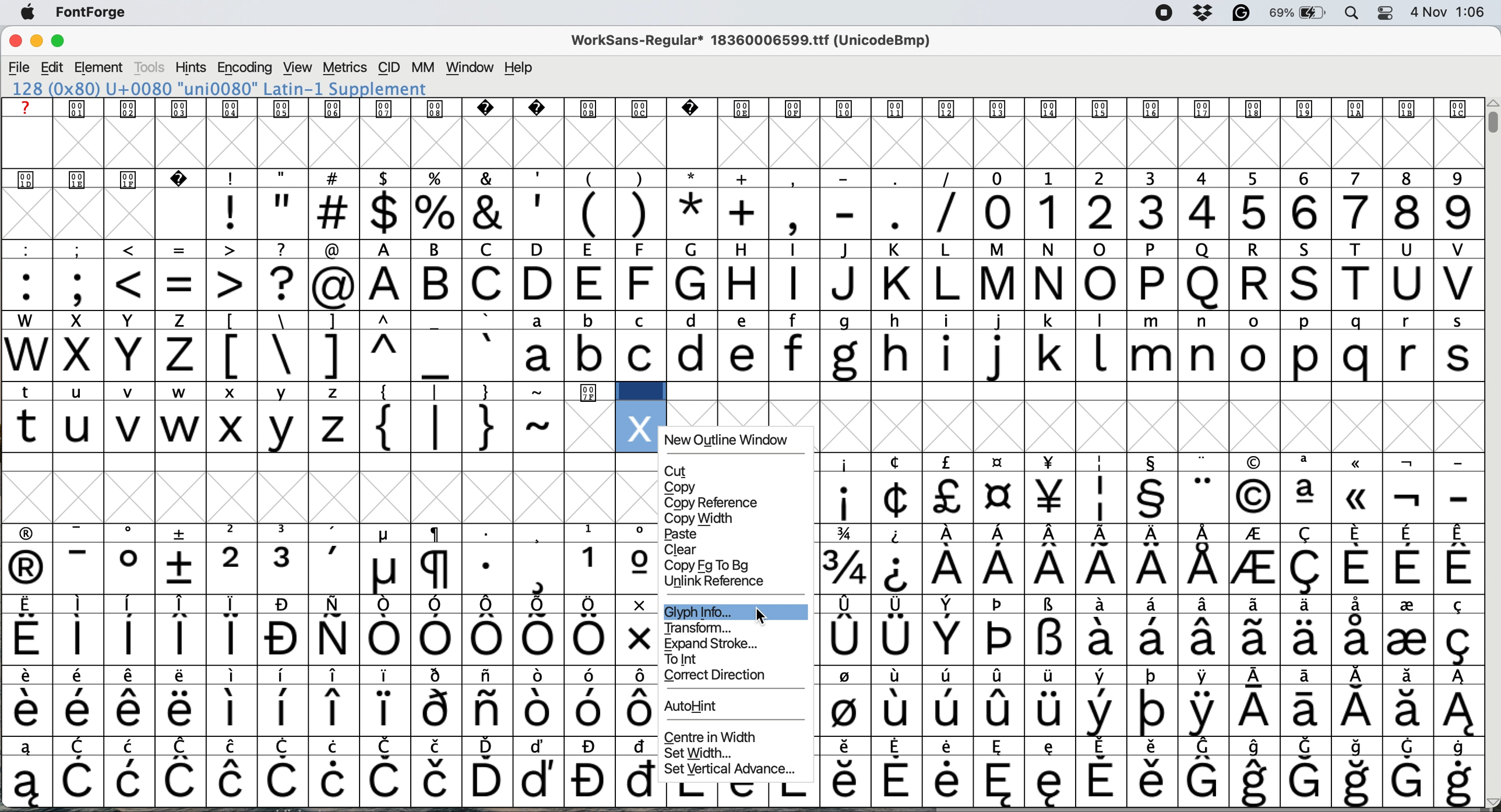  What do you see at coordinates (466, 428) in the screenshot?
I see `special characters` at bounding box center [466, 428].